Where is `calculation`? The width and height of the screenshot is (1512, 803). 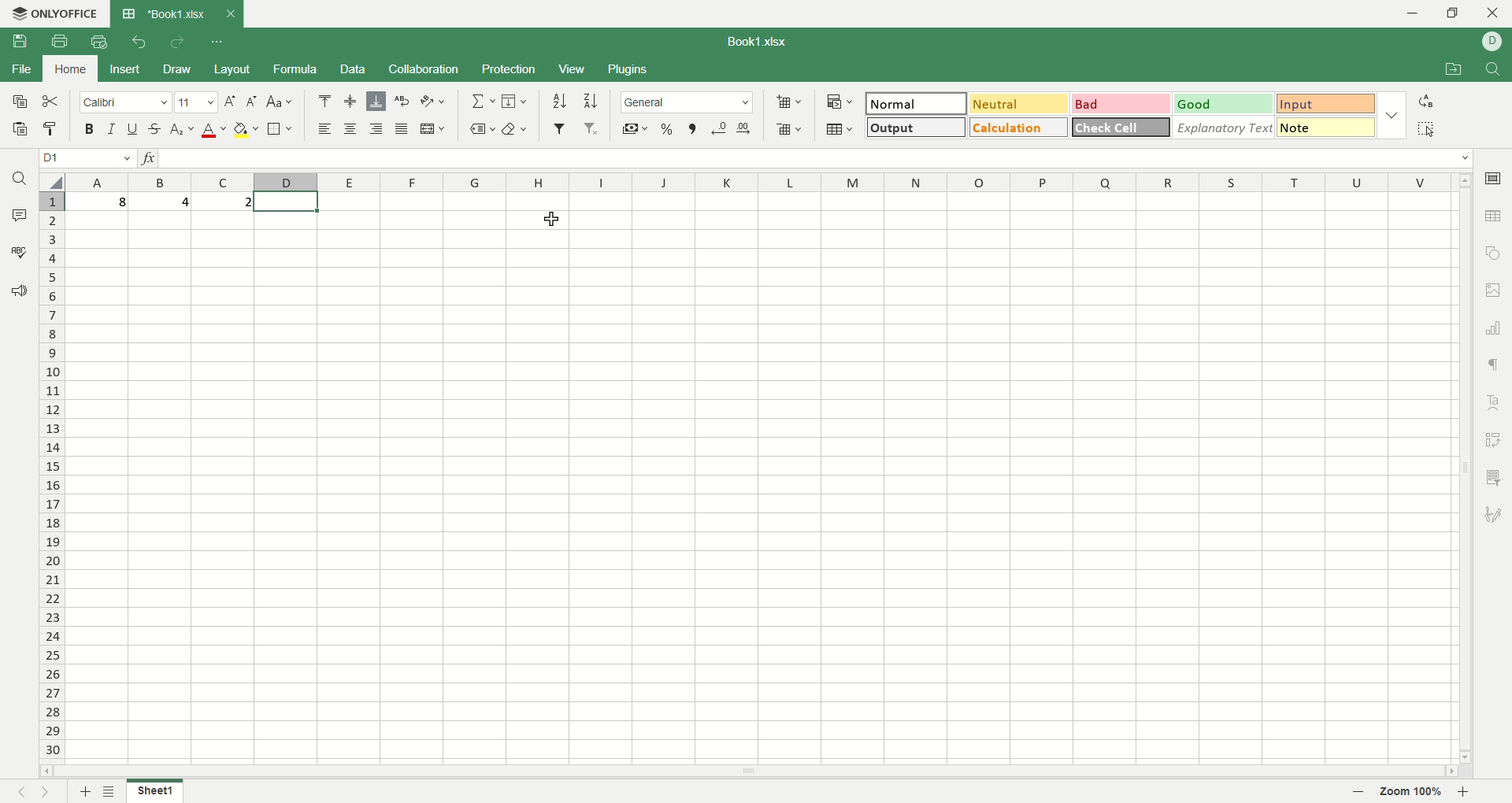 calculation is located at coordinates (1017, 127).